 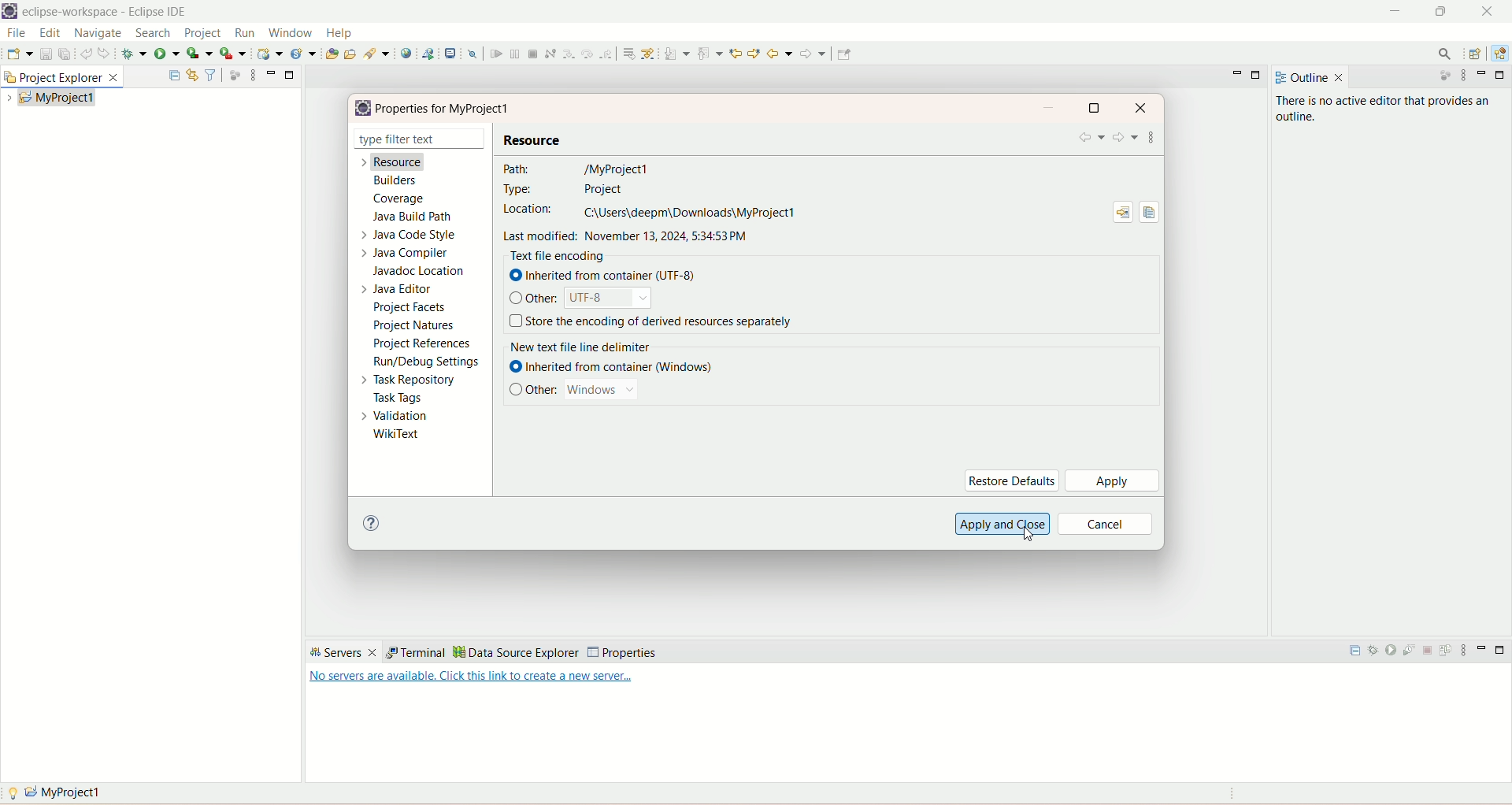 What do you see at coordinates (601, 391) in the screenshot?
I see `windows` at bounding box center [601, 391].